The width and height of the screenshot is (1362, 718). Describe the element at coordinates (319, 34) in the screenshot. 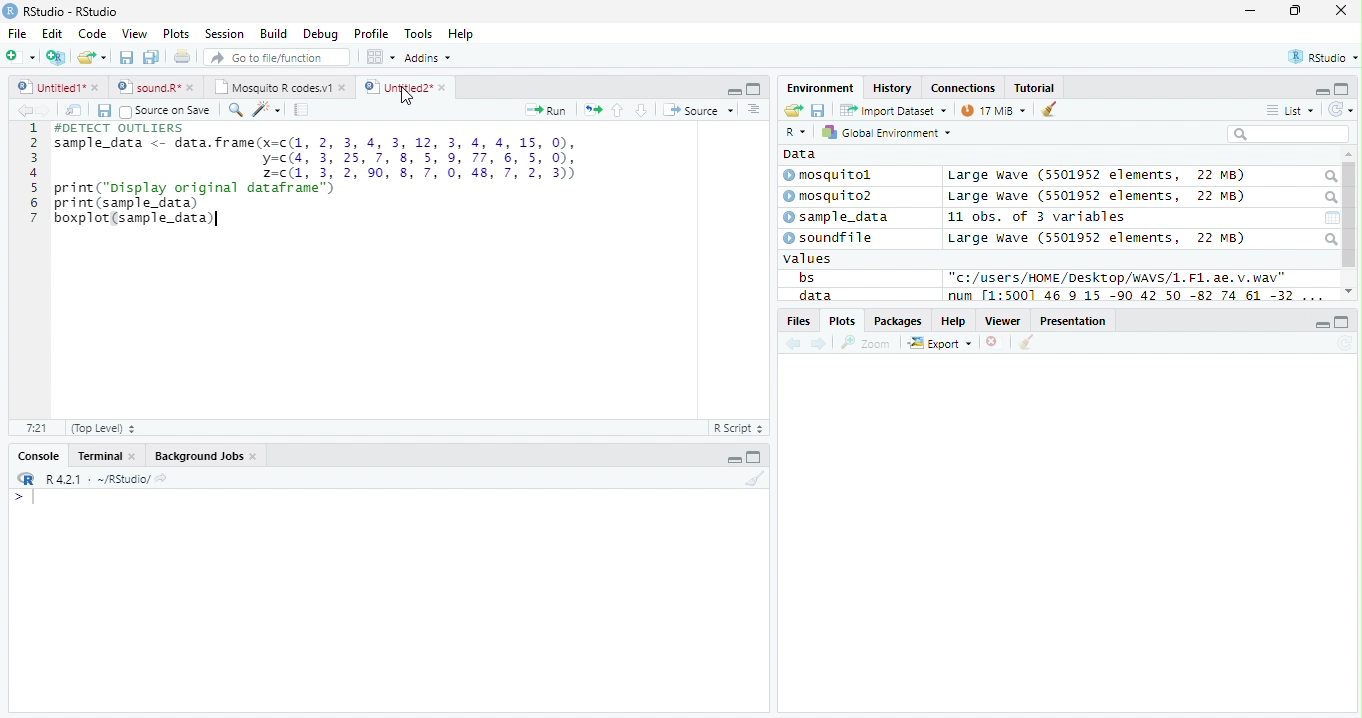

I see `Debug` at that location.